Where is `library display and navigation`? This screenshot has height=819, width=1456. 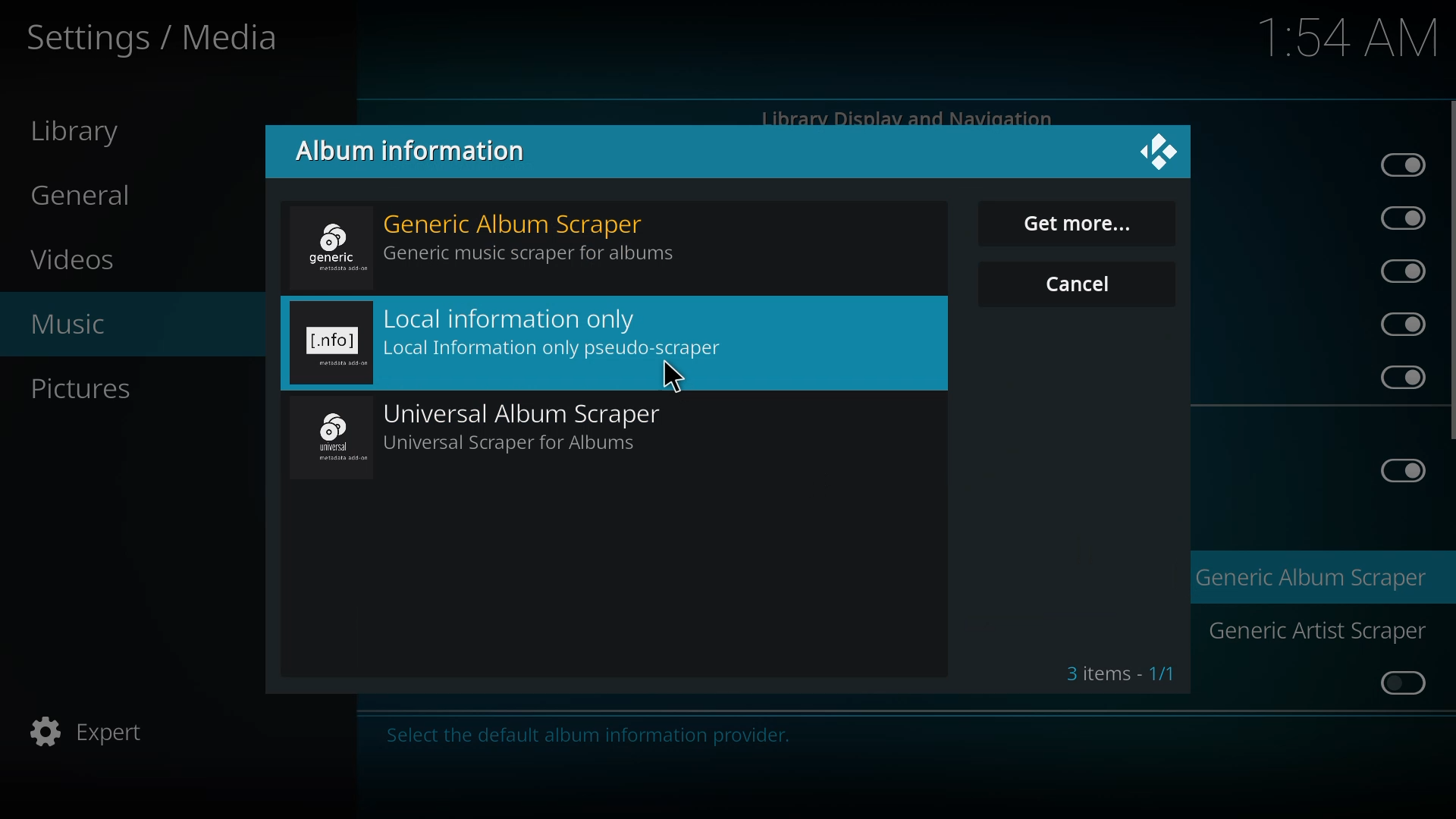
library display and navigation is located at coordinates (907, 117).